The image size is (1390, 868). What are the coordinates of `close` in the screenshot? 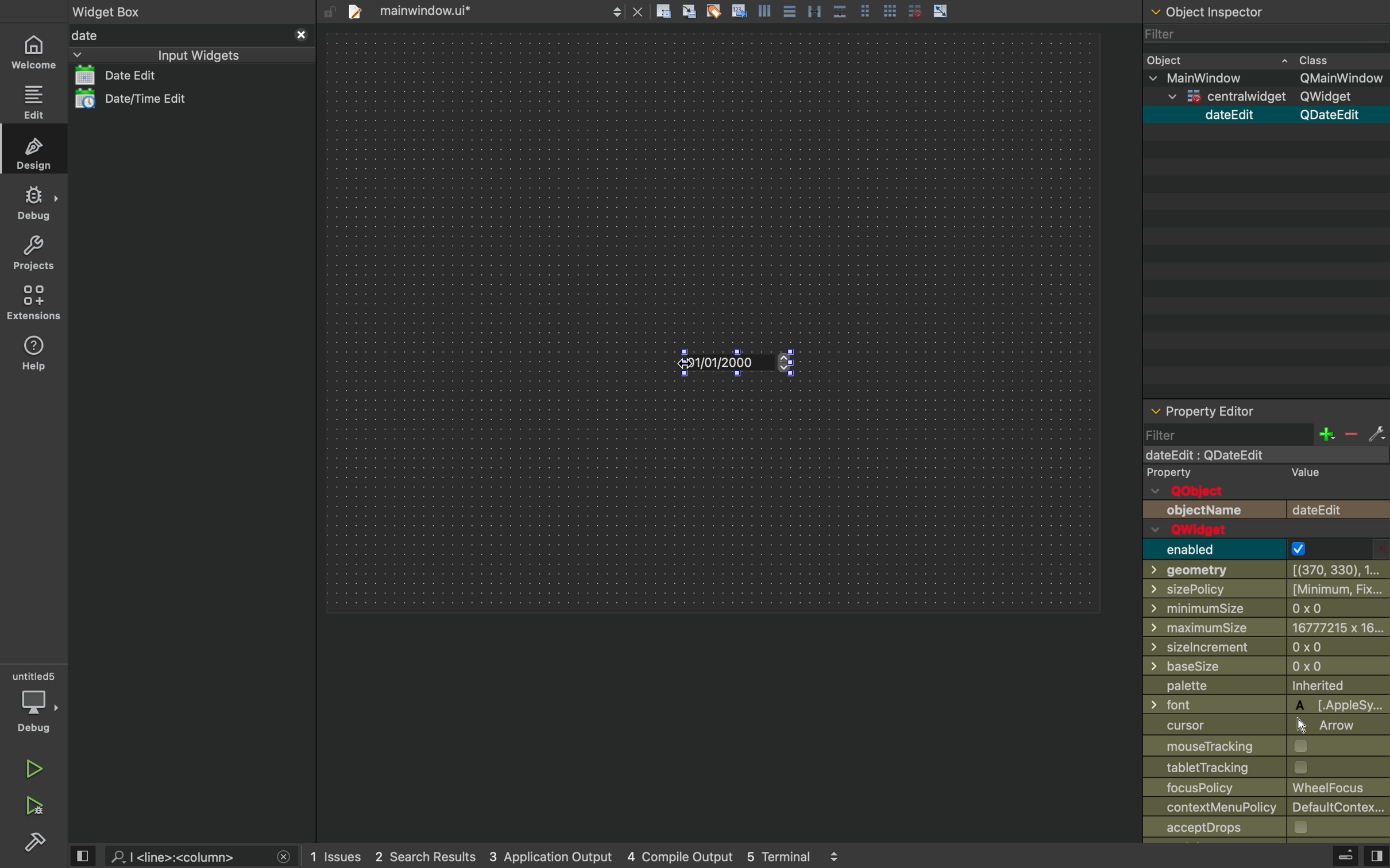 It's located at (284, 858).